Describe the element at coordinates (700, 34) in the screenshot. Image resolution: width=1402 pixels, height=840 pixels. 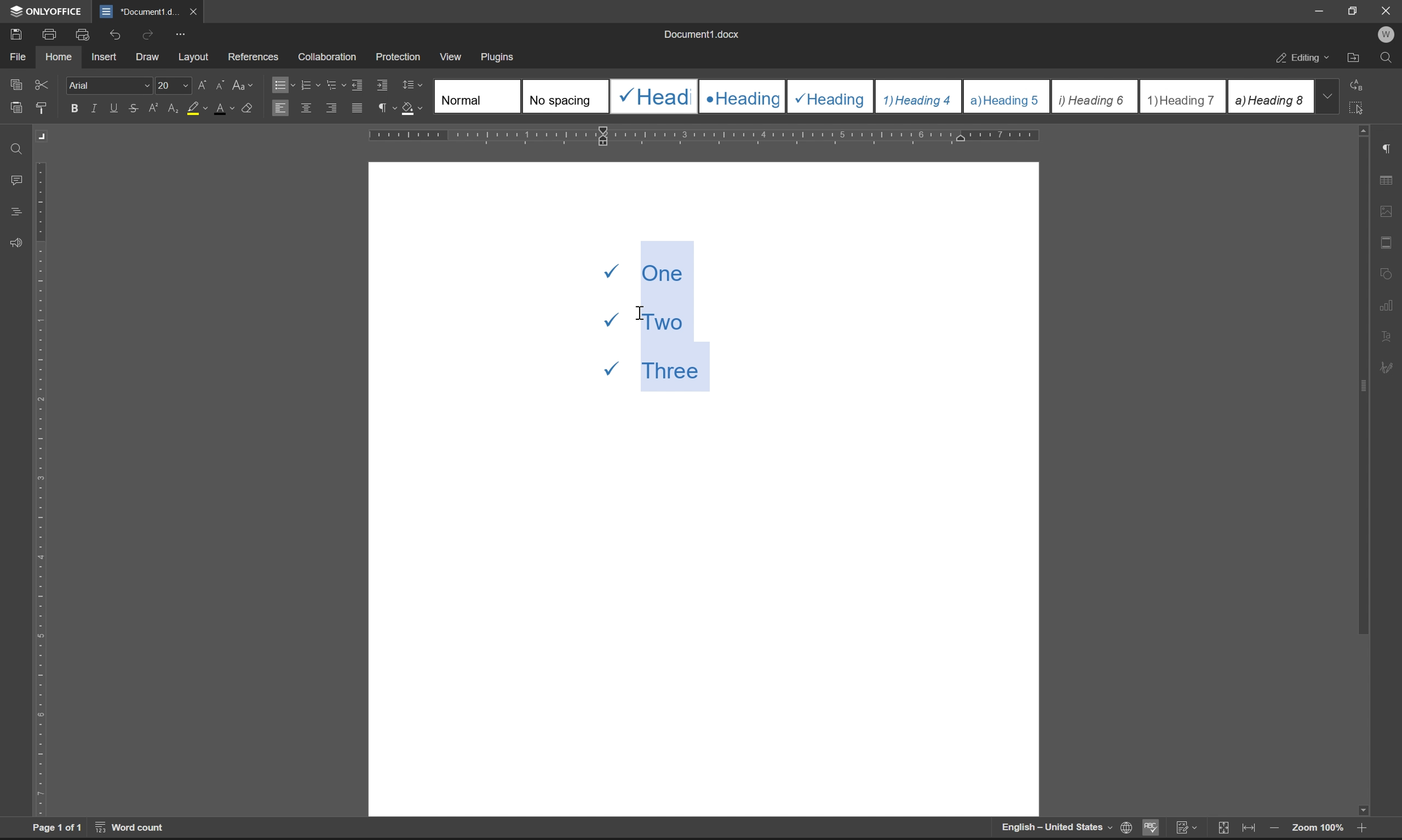
I see `document1.docx` at that location.